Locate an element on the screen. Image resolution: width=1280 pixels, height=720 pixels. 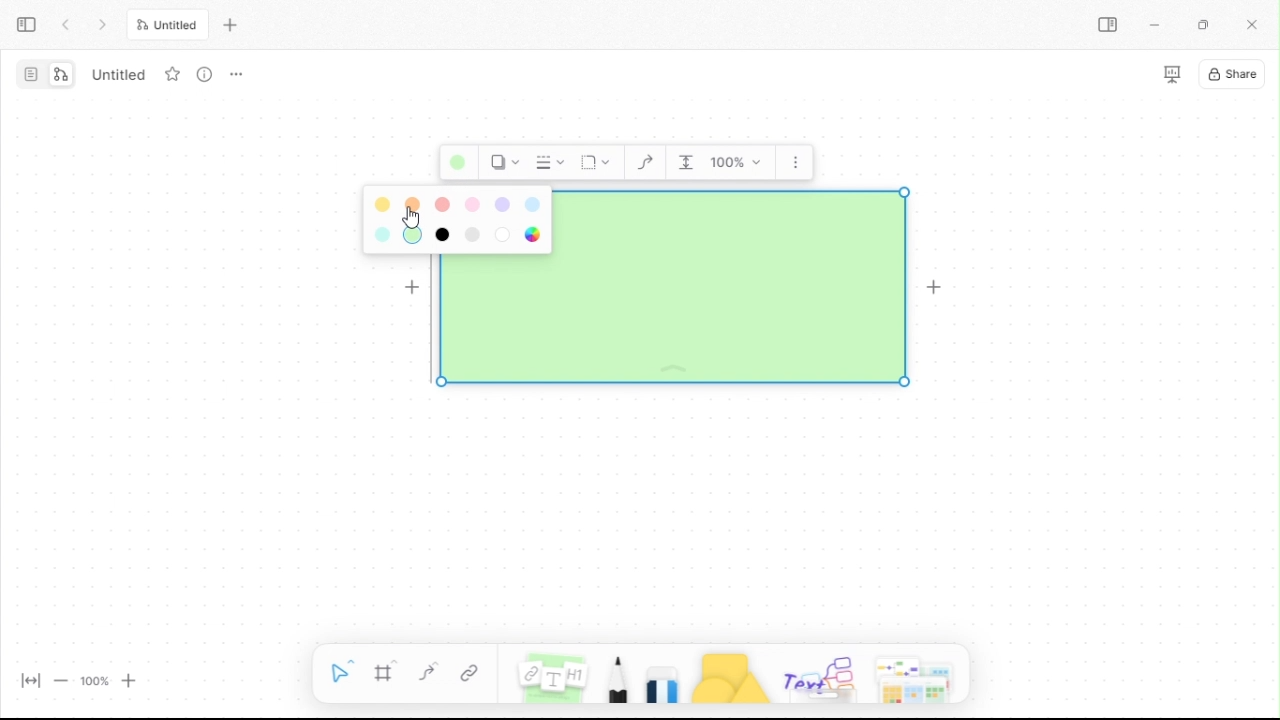
close is located at coordinates (1255, 25).